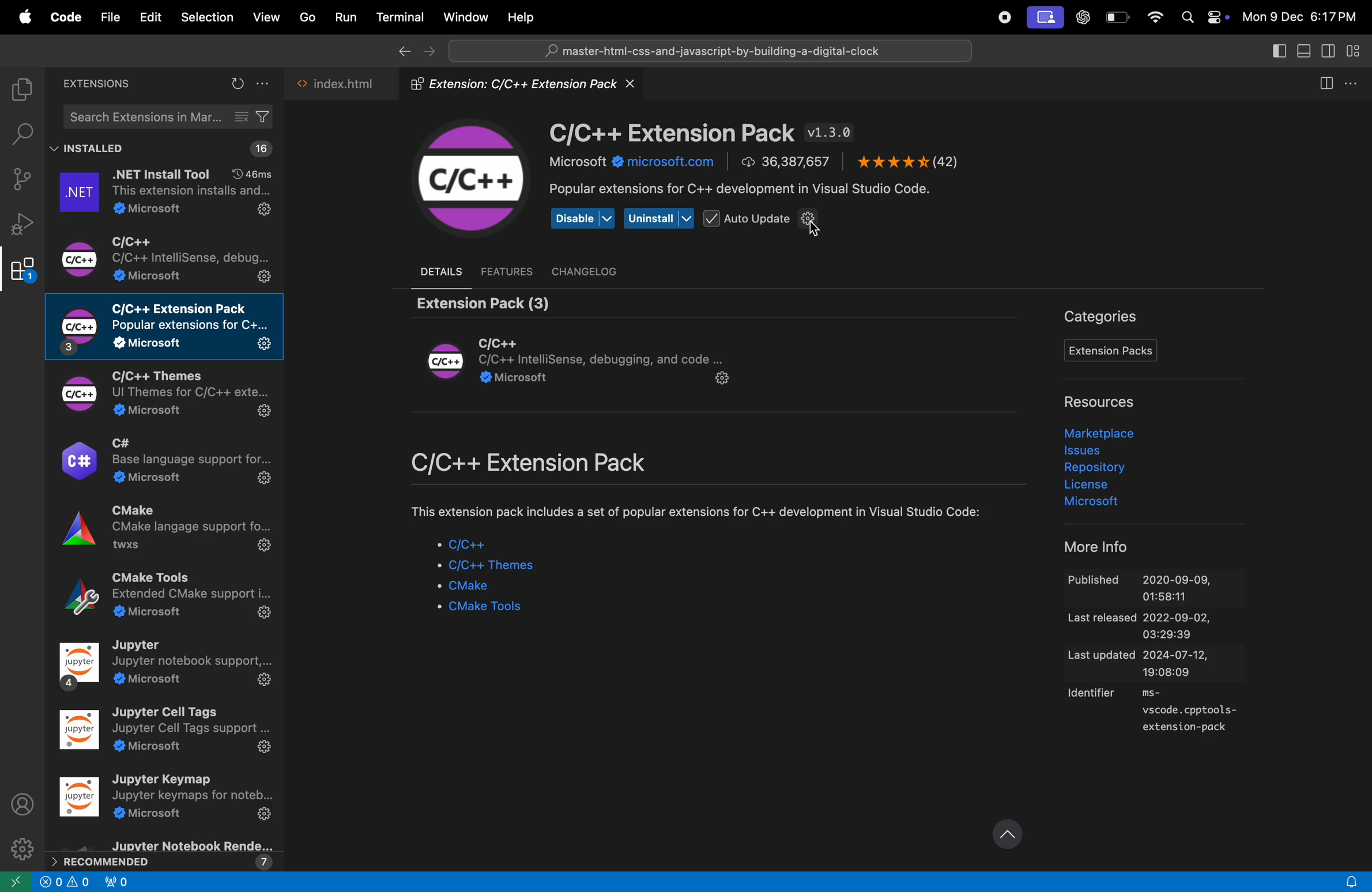  Describe the element at coordinates (22, 224) in the screenshot. I see `debug` at that location.